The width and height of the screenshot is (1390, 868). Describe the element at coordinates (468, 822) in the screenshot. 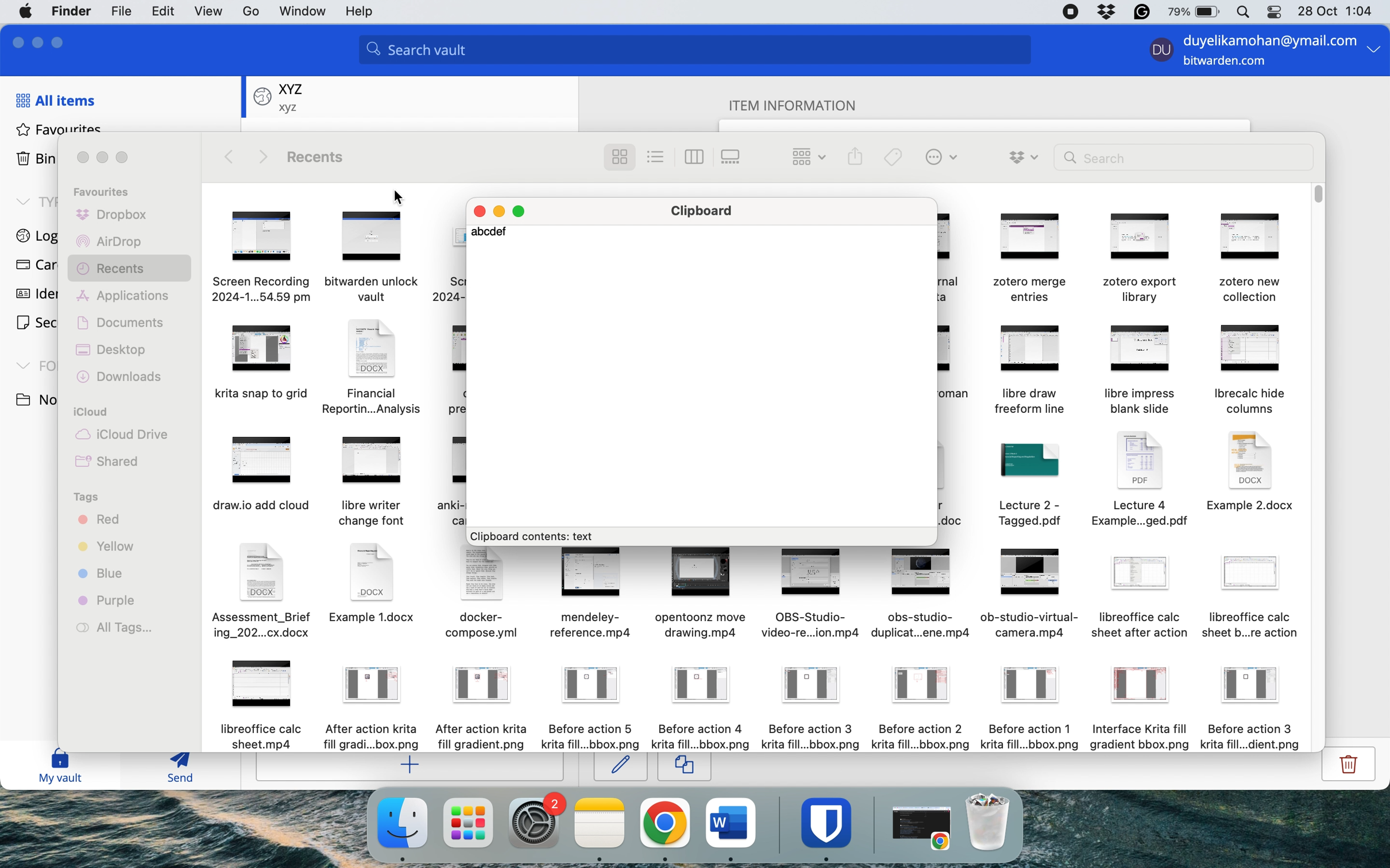

I see `launchpad` at that location.